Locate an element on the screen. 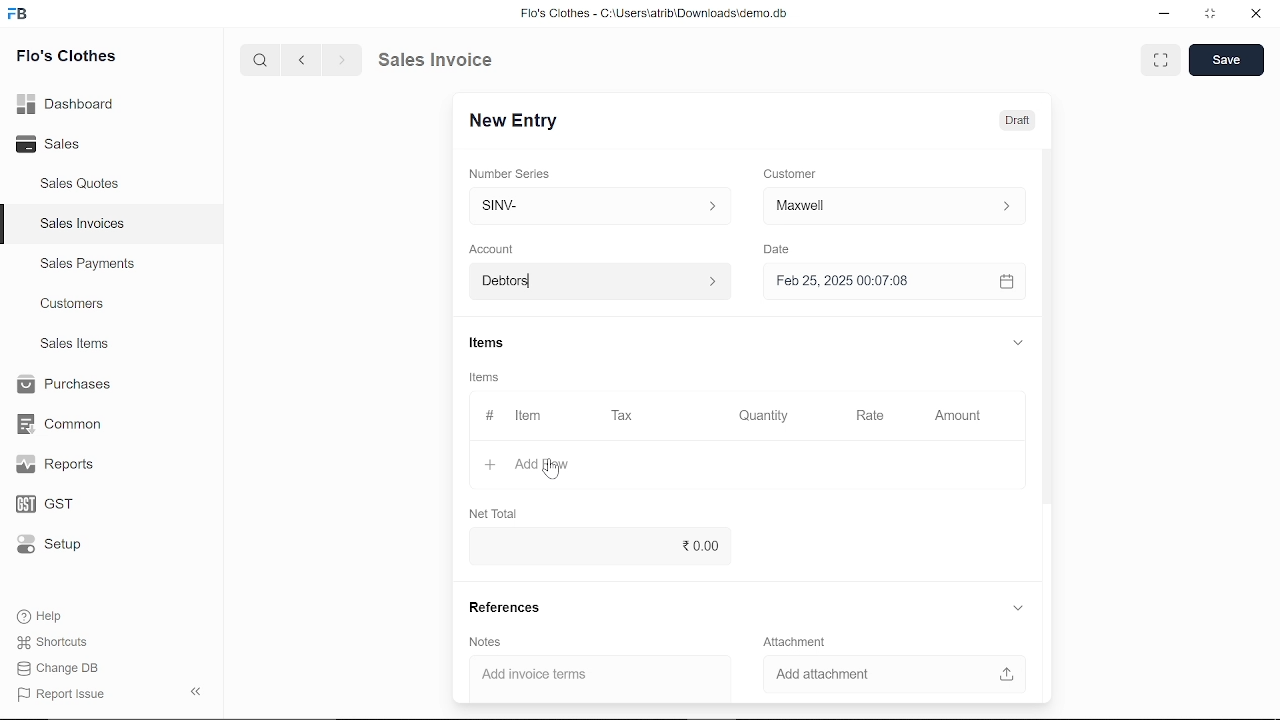 The width and height of the screenshot is (1280, 720). Date is located at coordinates (780, 249).